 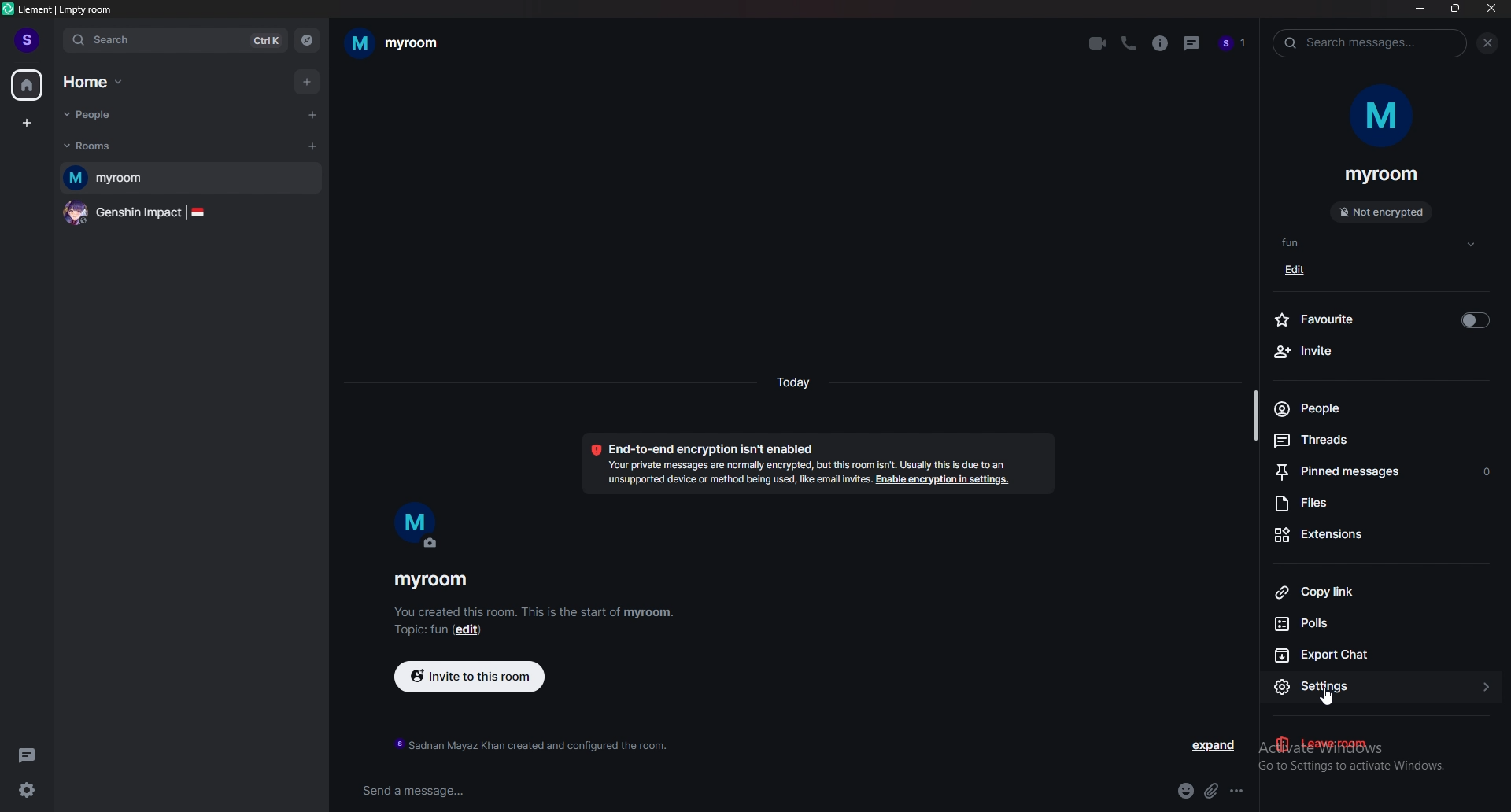 What do you see at coordinates (312, 147) in the screenshot?
I see `add room` at bounding box center [312, 147].